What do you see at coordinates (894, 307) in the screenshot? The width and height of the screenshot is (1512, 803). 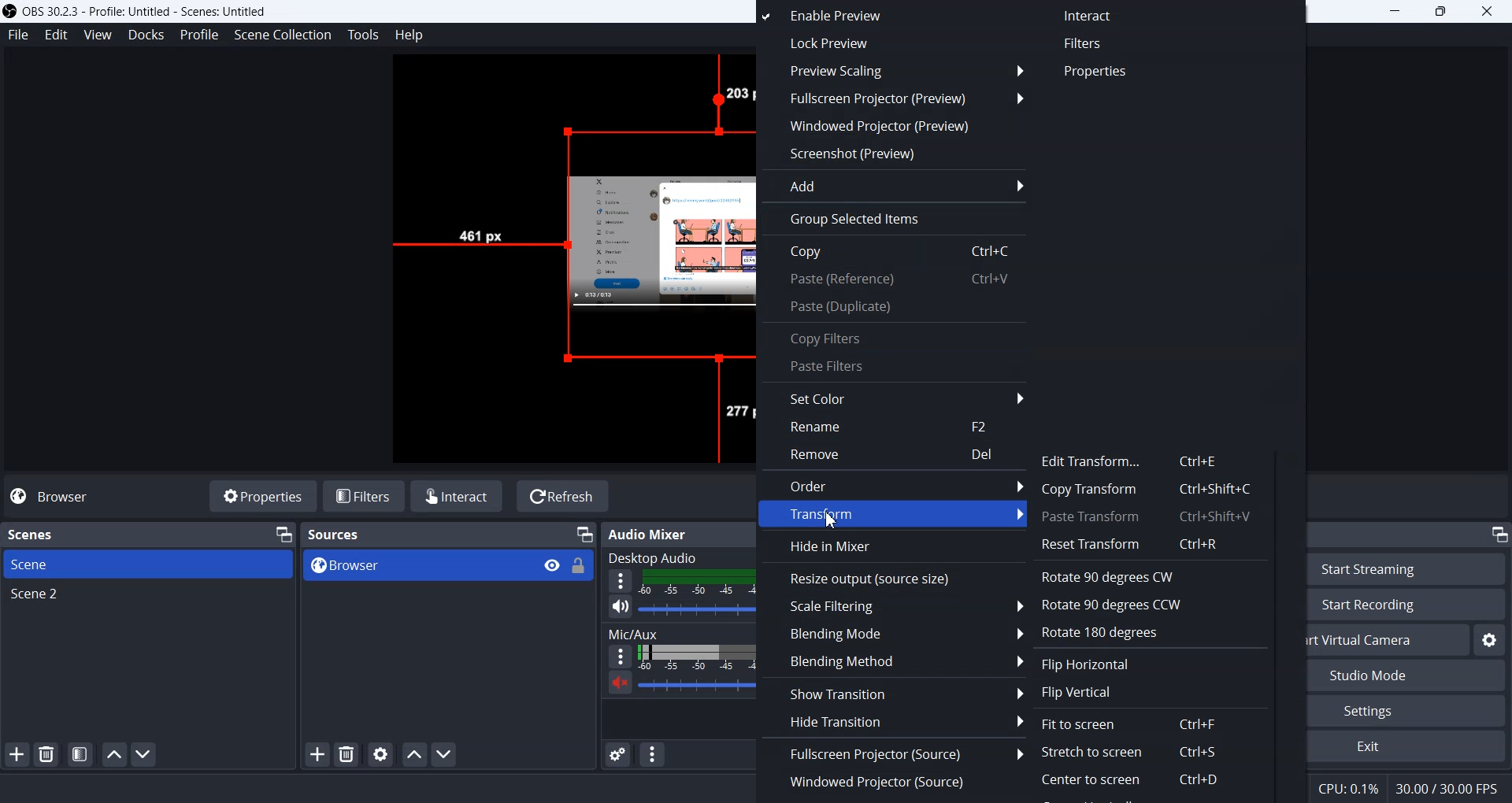 I see `Paste(Duplicate)` at bounding box center [894, 307].